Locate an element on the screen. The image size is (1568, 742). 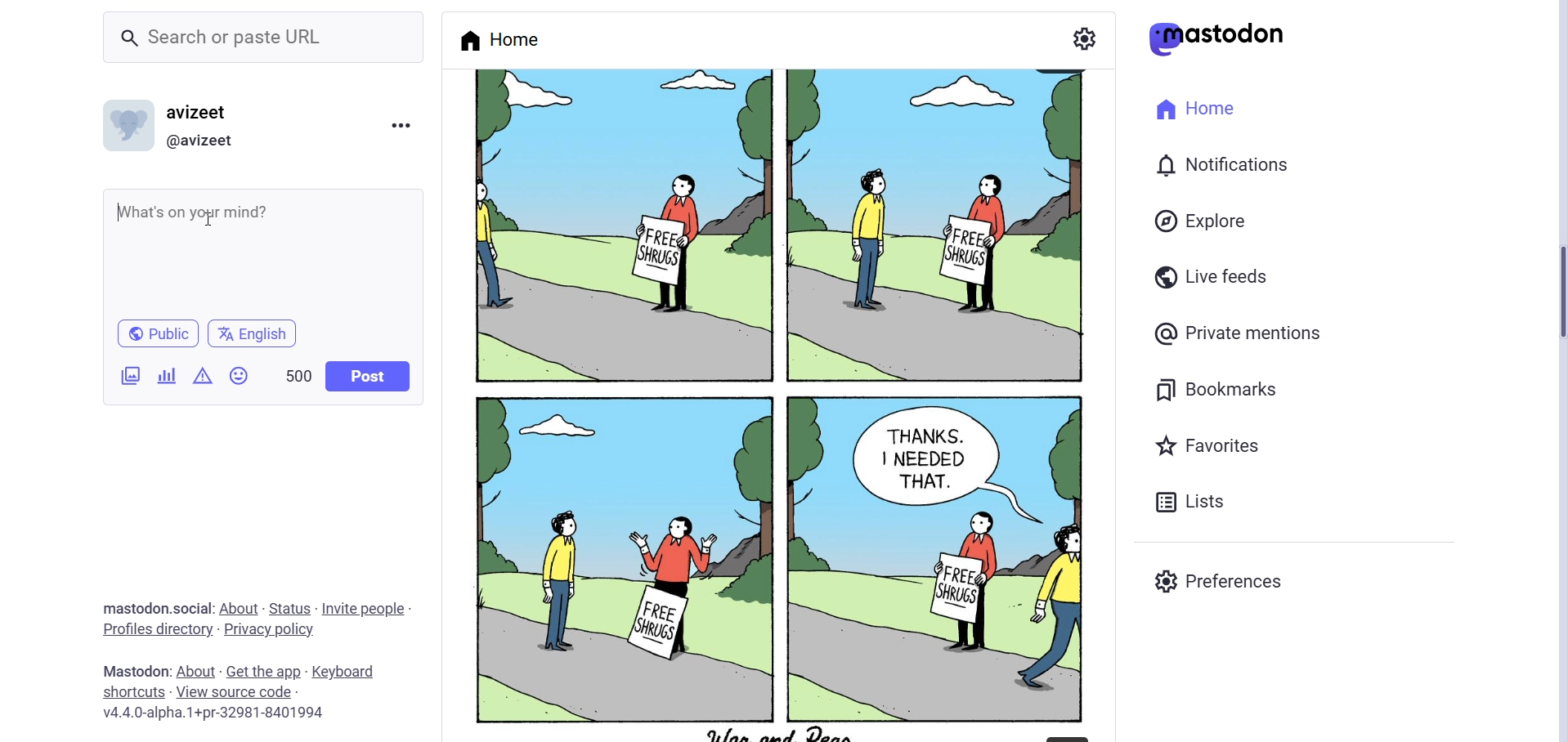
Word Limit is located at coordinates (299, 373).